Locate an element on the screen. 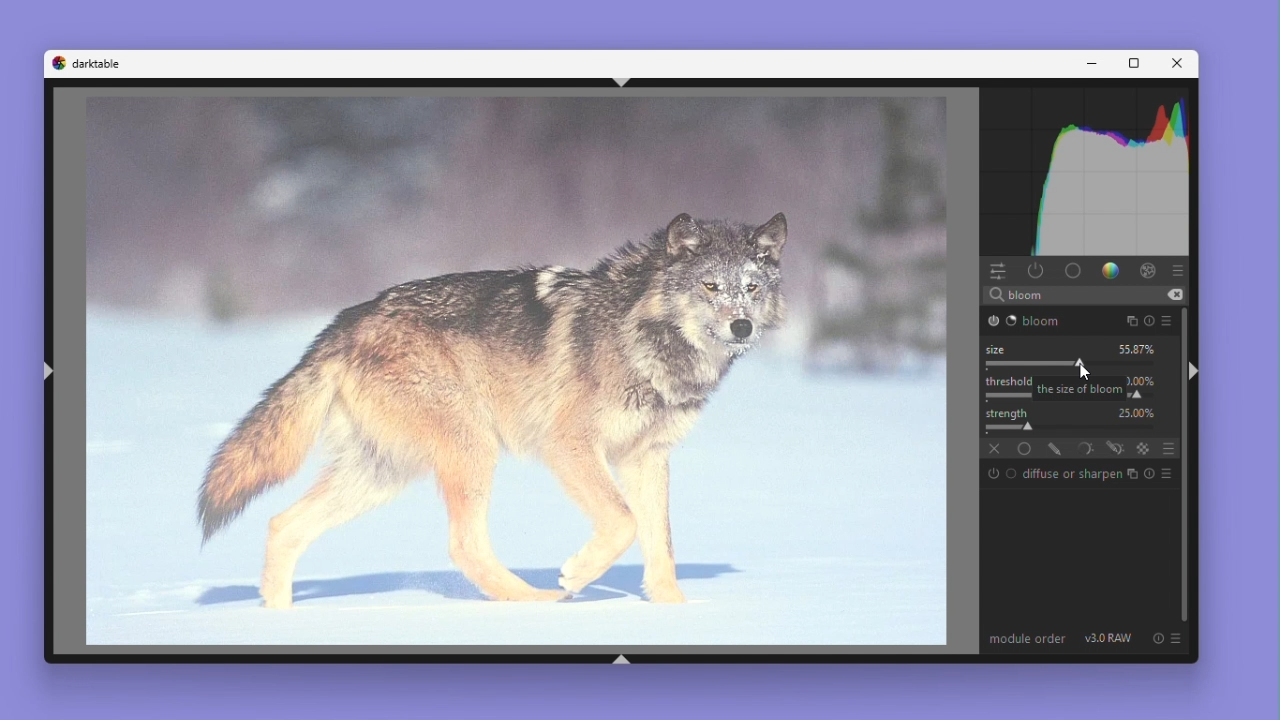  Blending options is located at coordinates (1165, 448).